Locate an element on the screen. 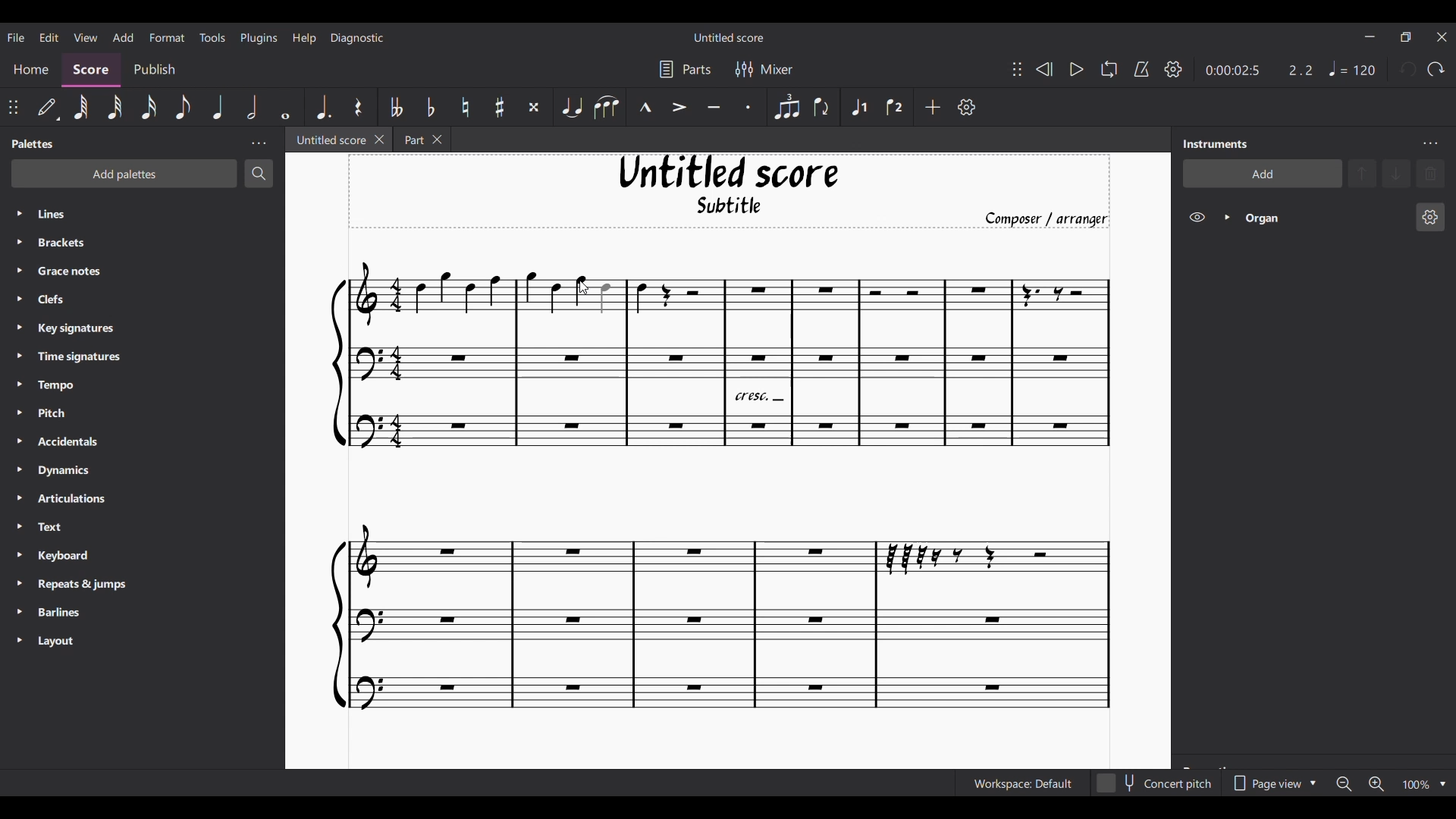 The image size is (1456, 819). Marcato is located at coordinates (645, 107).